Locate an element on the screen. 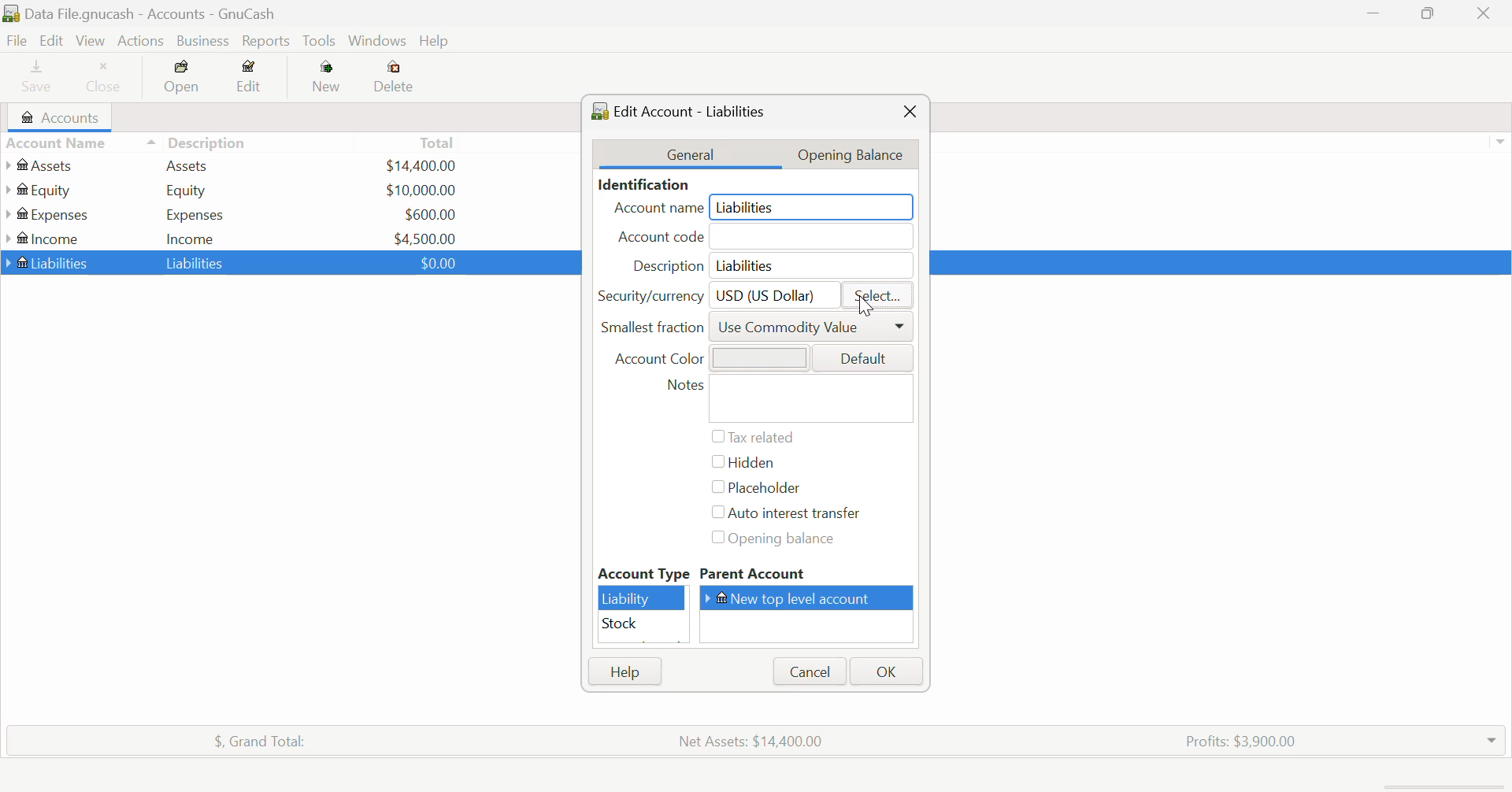 This screenshot has height=792, width=1512. Close is located at coordinates (105, 79).